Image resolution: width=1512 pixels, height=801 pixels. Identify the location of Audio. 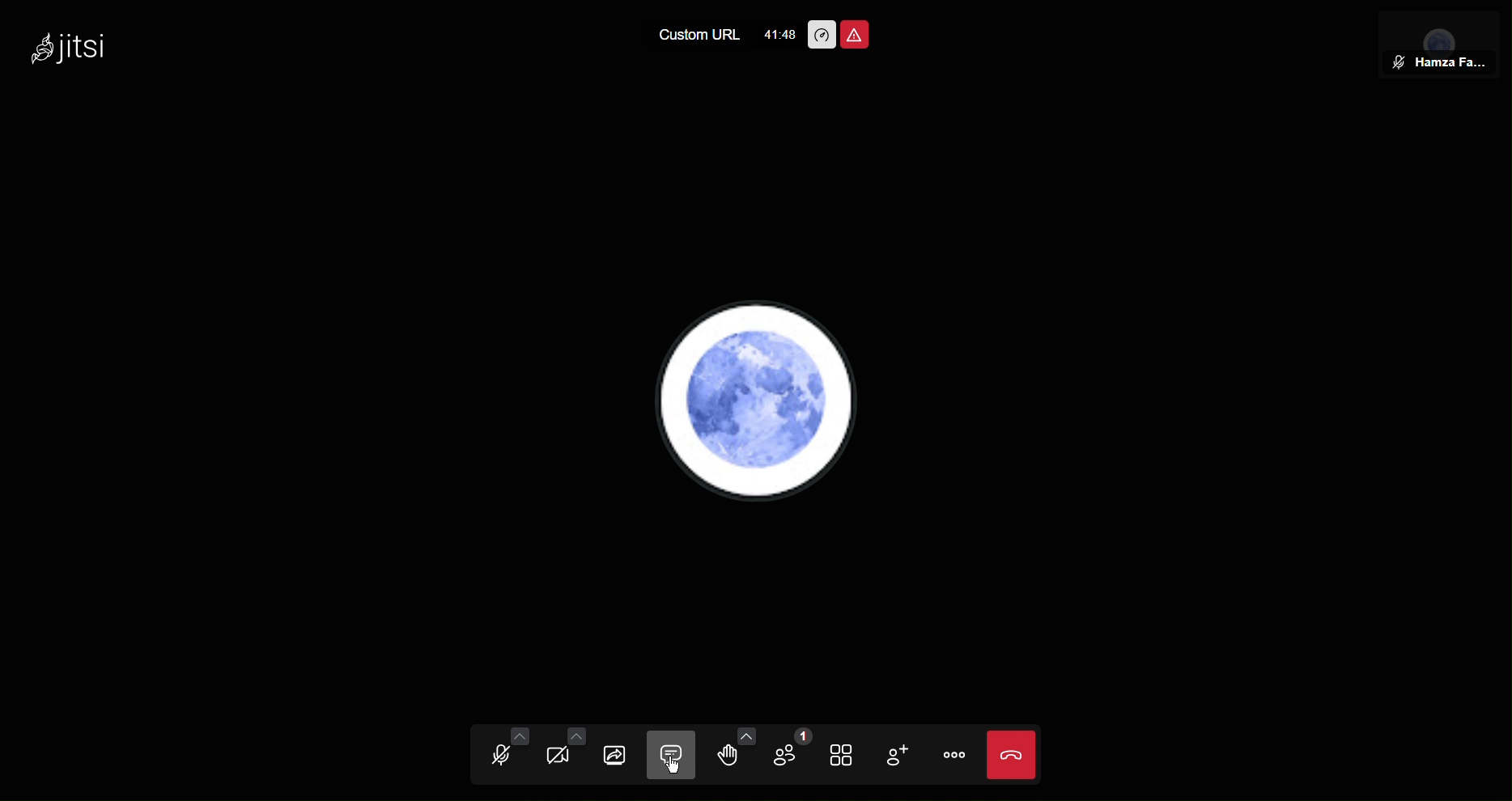
(503, 753).